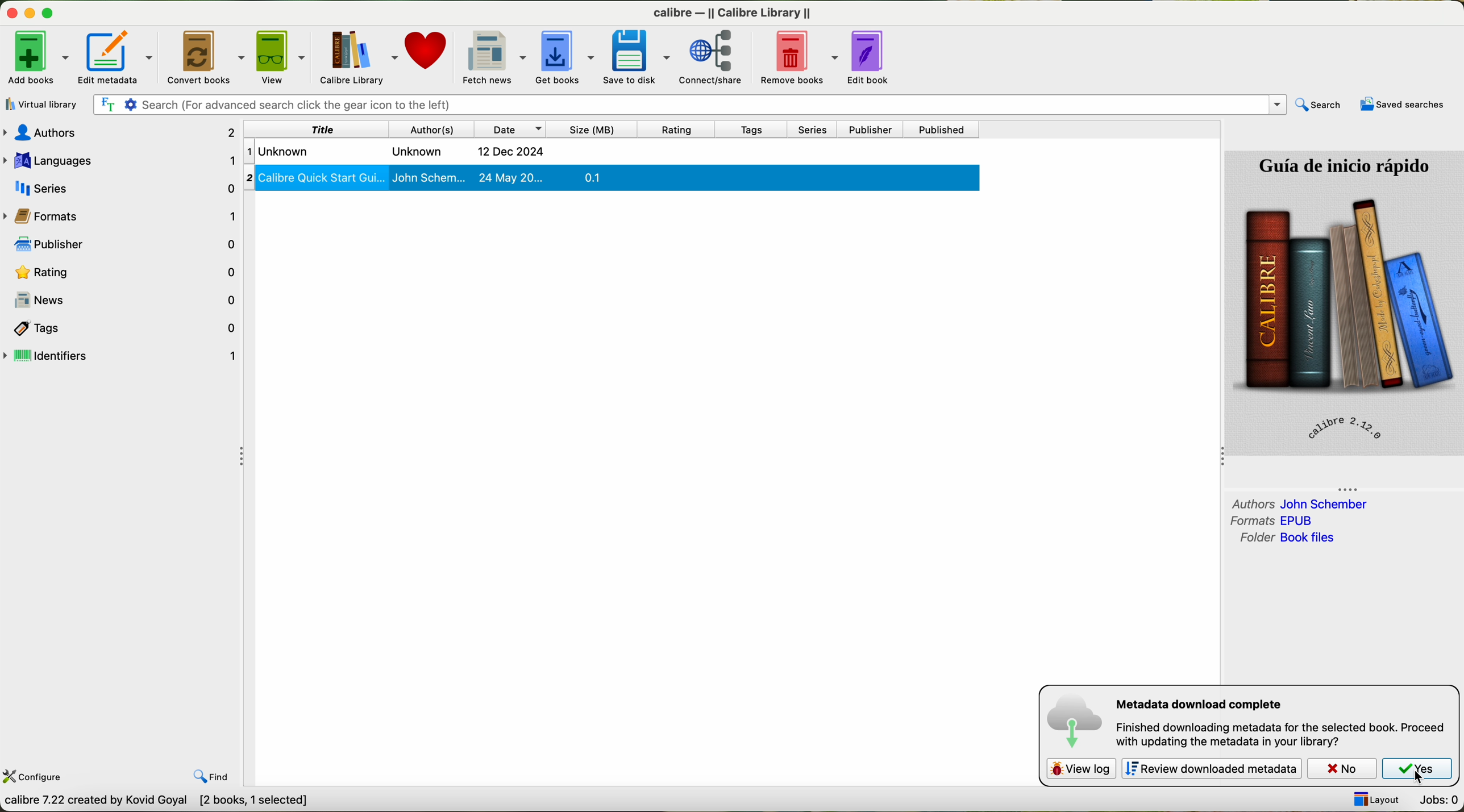  Describe the element at coordinates (130, 299) in the screenshot. I see `news` at that location.